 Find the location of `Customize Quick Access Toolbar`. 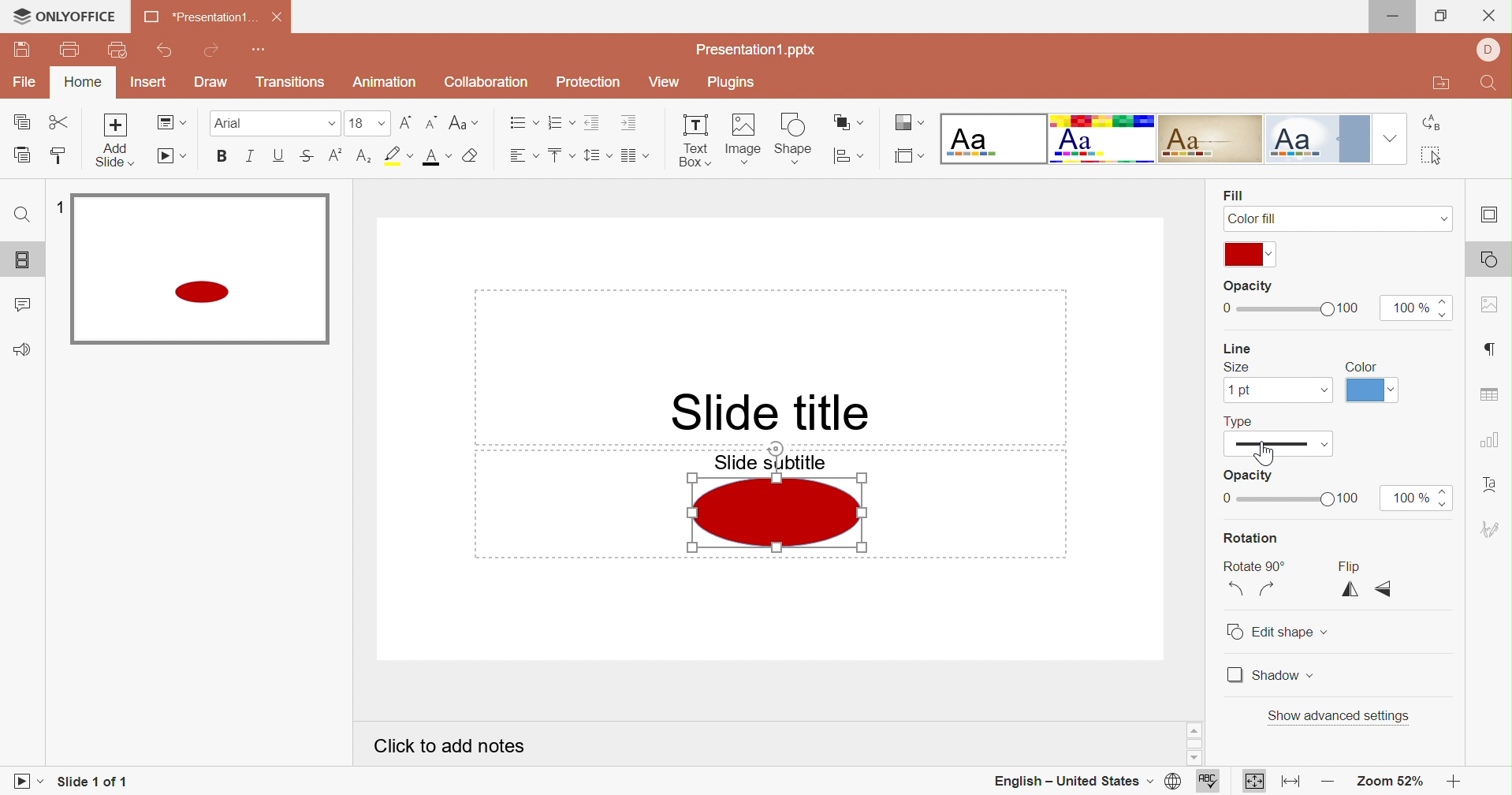

Customize Quick Access Toolbar is located at coordinates (261, 52).